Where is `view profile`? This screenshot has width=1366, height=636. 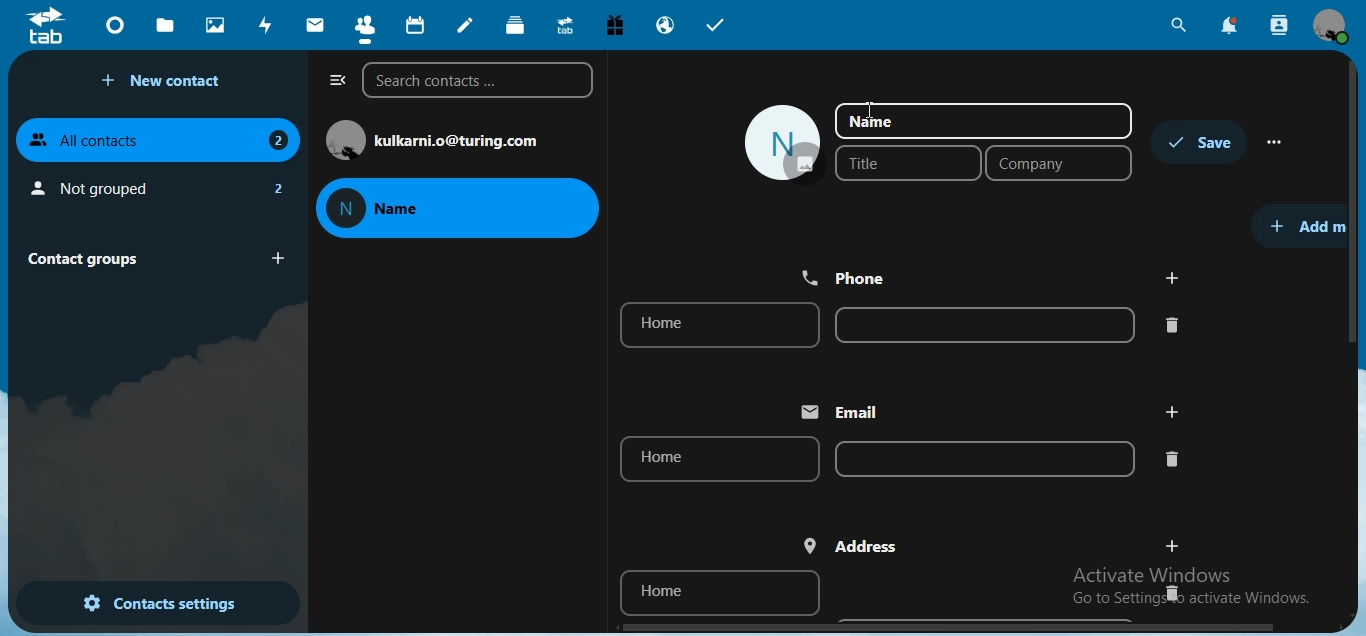 view profile is located at coordinates (1335, 24).